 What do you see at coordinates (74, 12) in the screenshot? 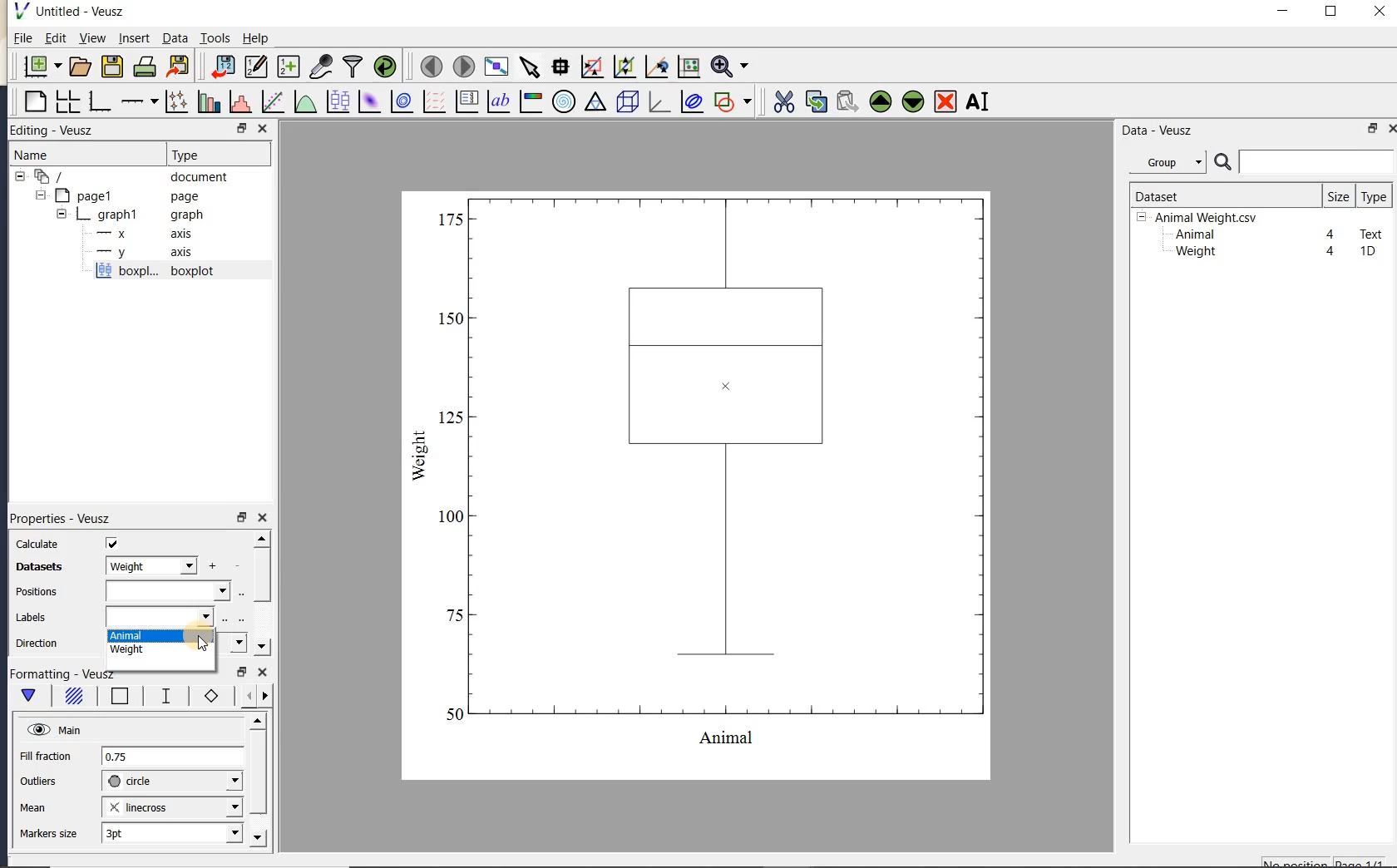
I see `Untitled-Veusz` at bounding box center [74, 12].